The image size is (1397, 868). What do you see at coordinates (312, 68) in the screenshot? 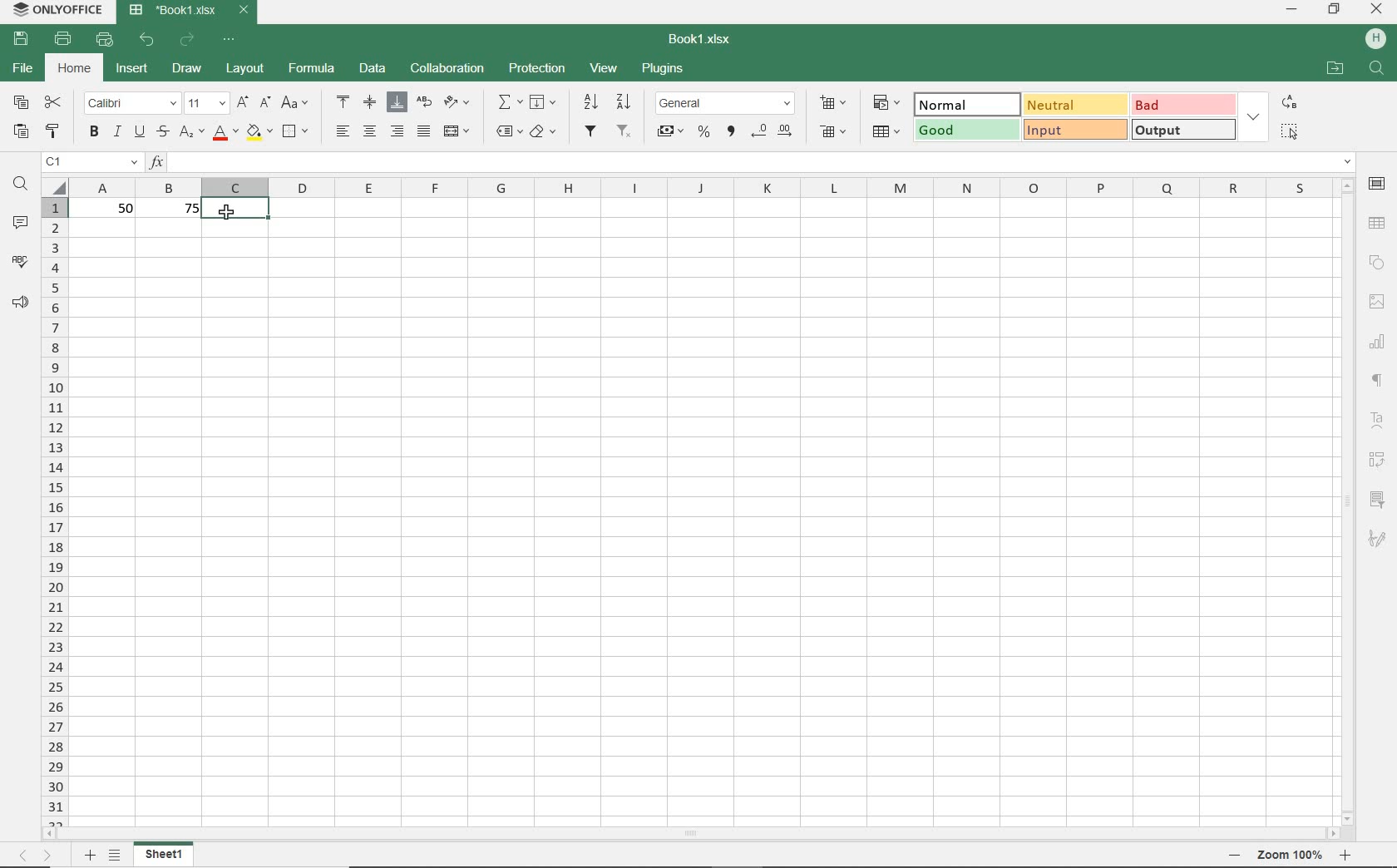
I see `formula` at bounding box center [312, 68].